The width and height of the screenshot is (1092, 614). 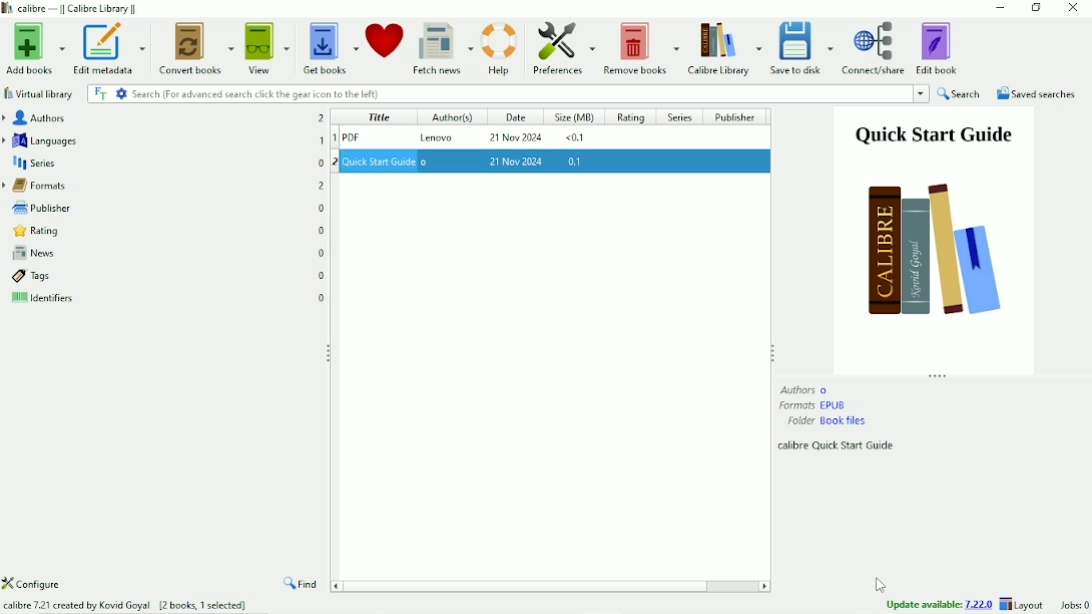 I want to click on Virtual library, so click(x=40, y=94).